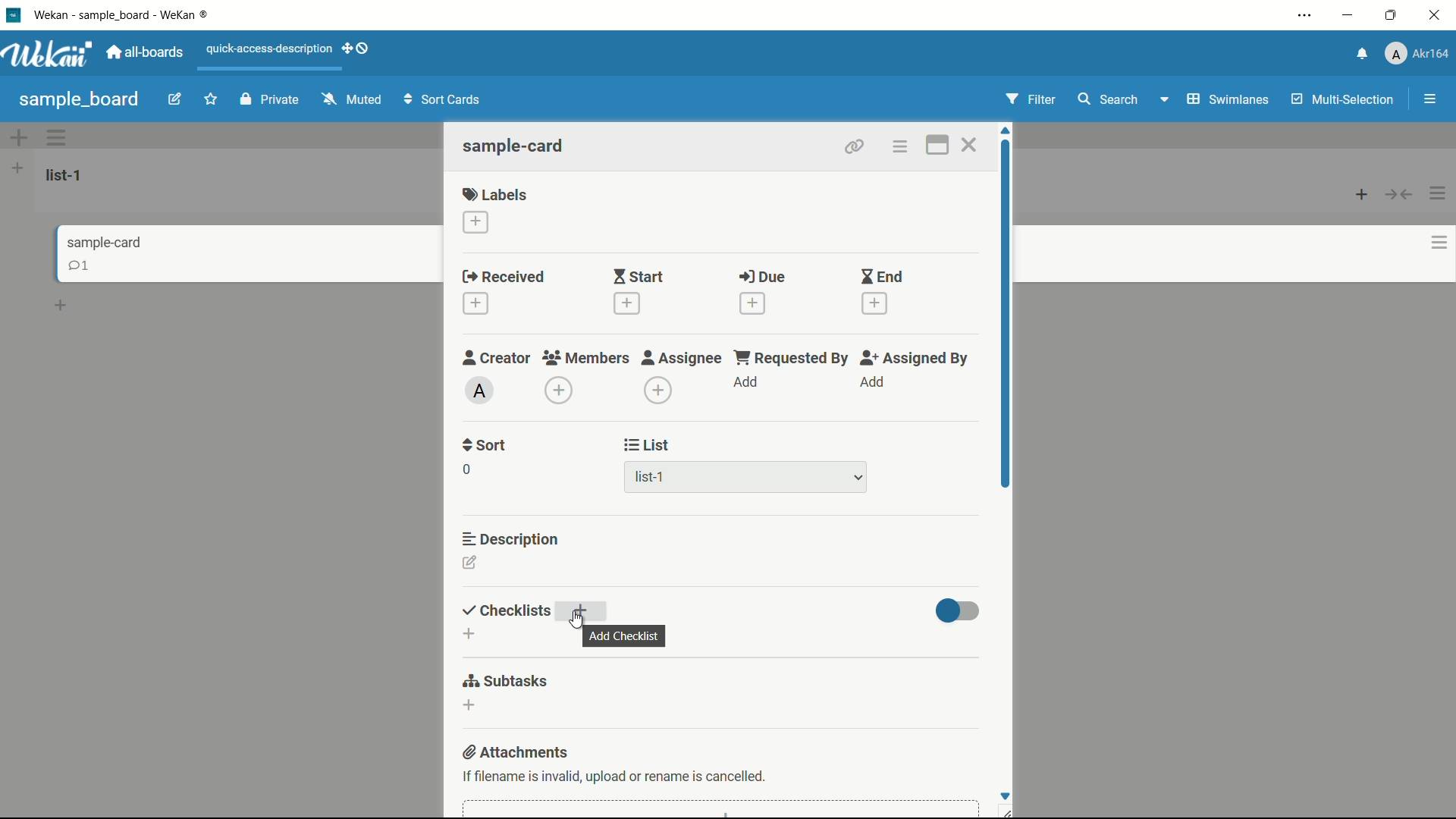 The image size is (1456, 819). Describe the element at coordinates (617, 776) in the screenshot. I see `text` at that location.